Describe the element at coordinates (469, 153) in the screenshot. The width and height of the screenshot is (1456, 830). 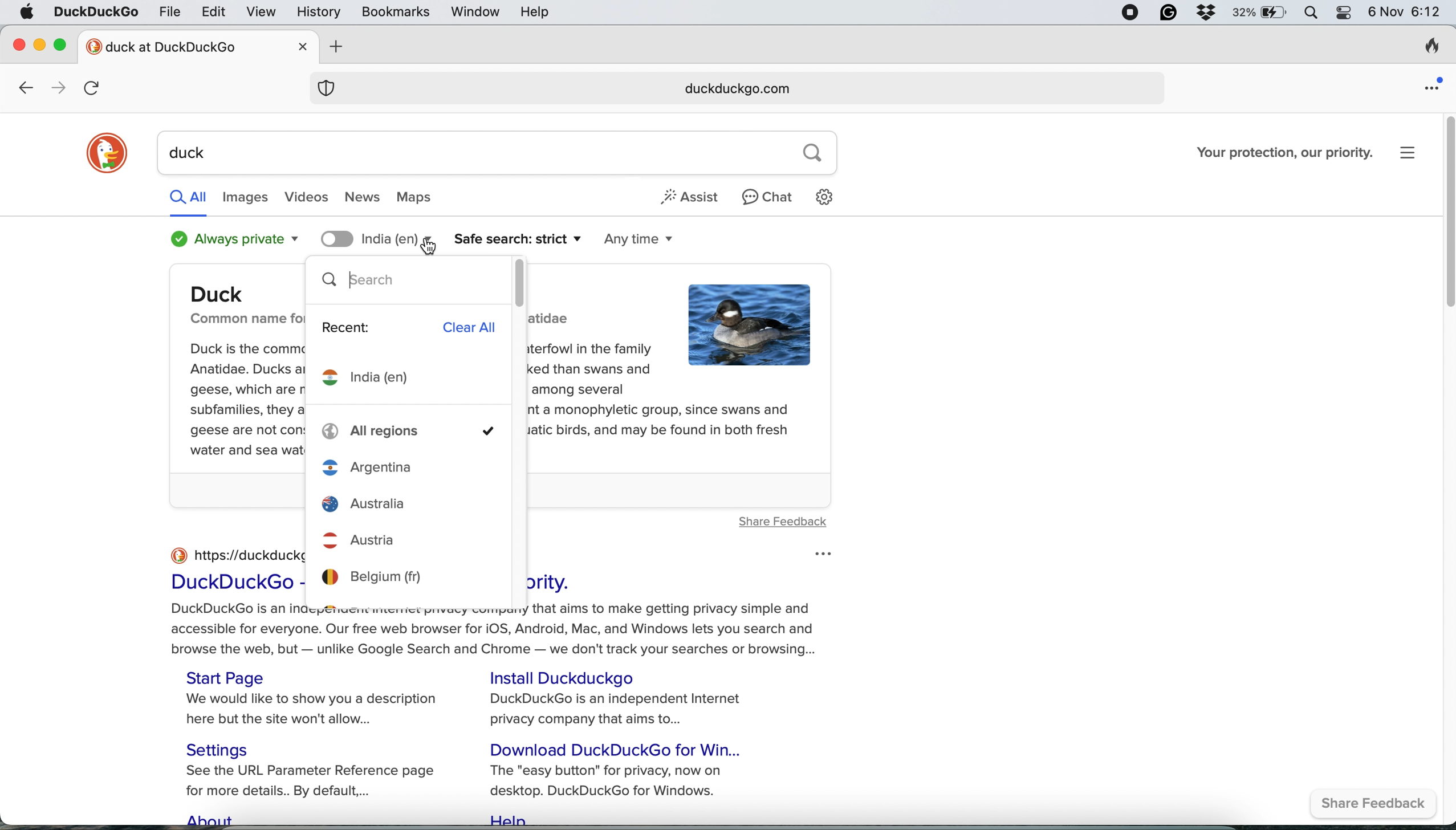
I see `duck` at that location.